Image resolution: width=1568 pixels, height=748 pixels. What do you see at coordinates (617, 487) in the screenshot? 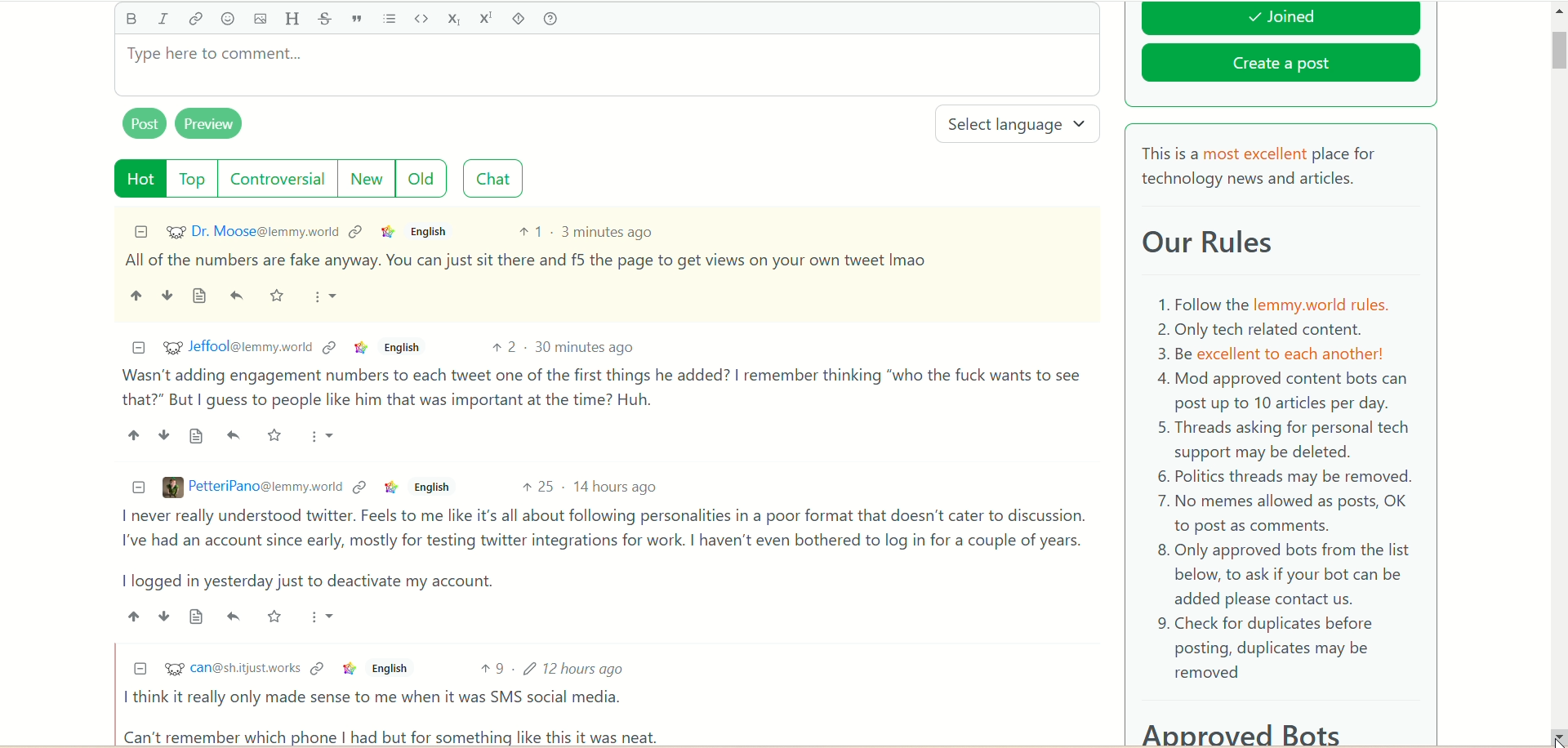
I see `14 hours ago` at bounding box center [617, 487].